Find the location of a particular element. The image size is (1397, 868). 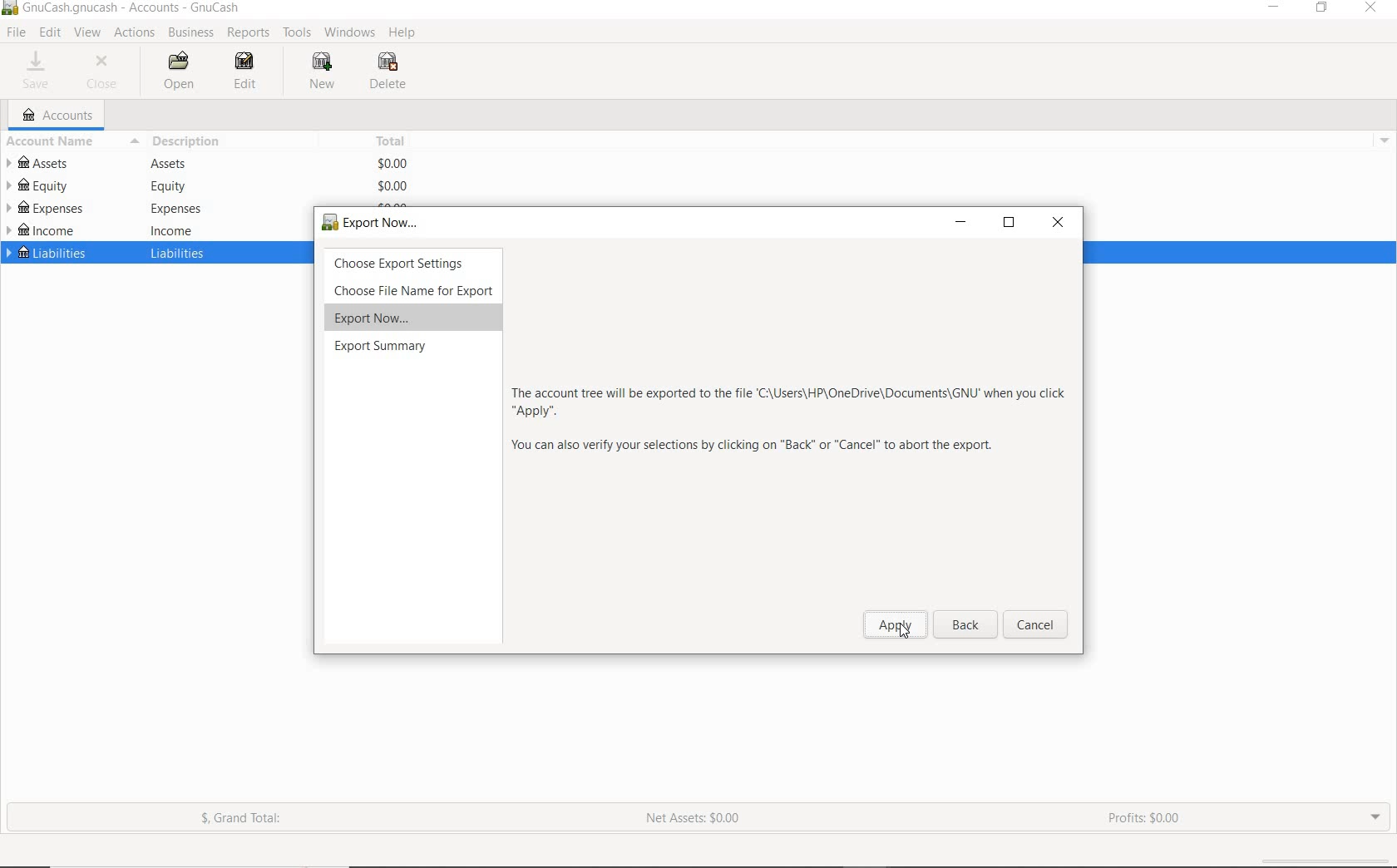

NET ASSETS is located at coordinates (697, 821).